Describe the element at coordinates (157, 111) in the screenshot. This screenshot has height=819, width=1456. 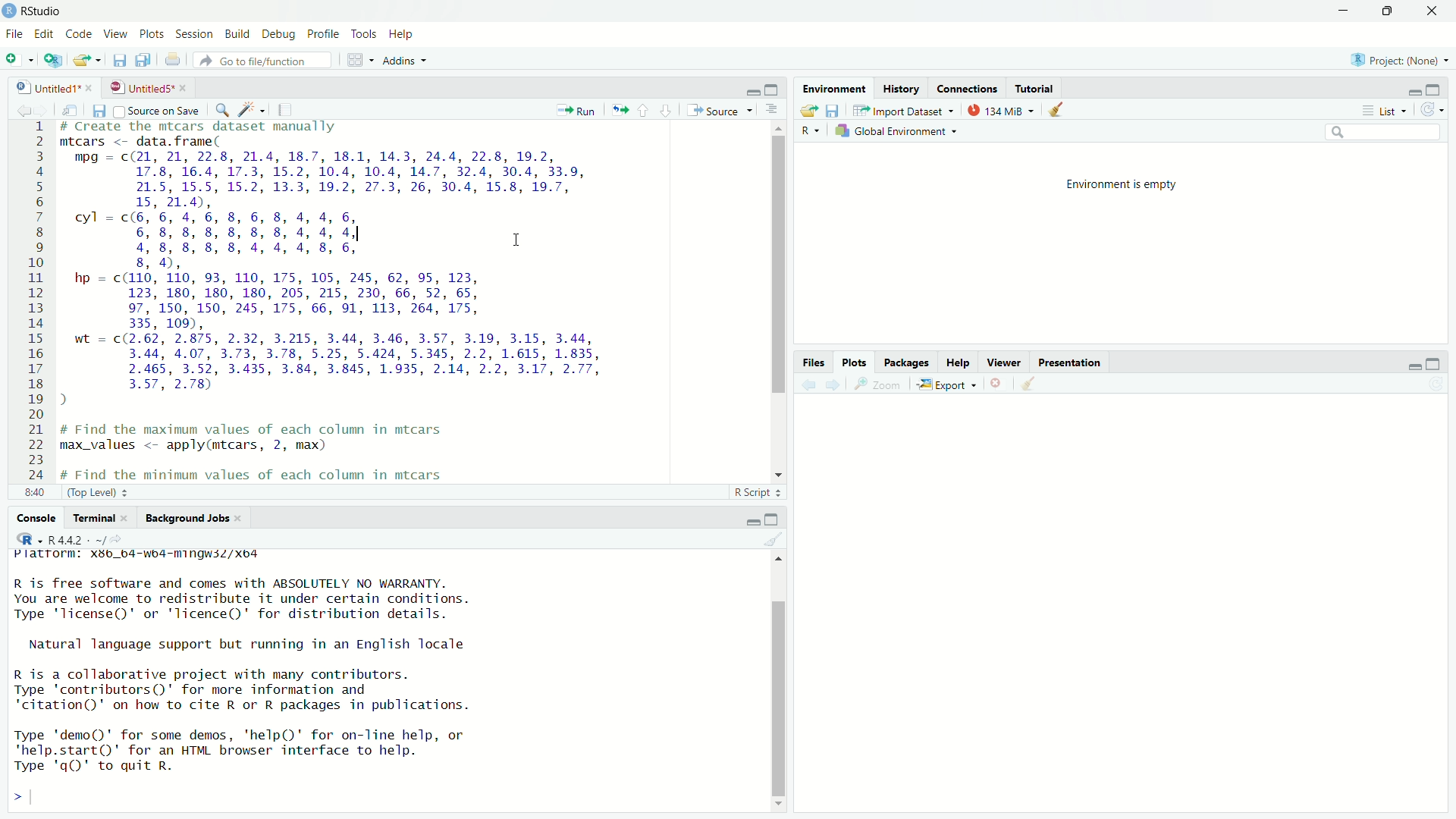
I see `| Source on Save` at that location.